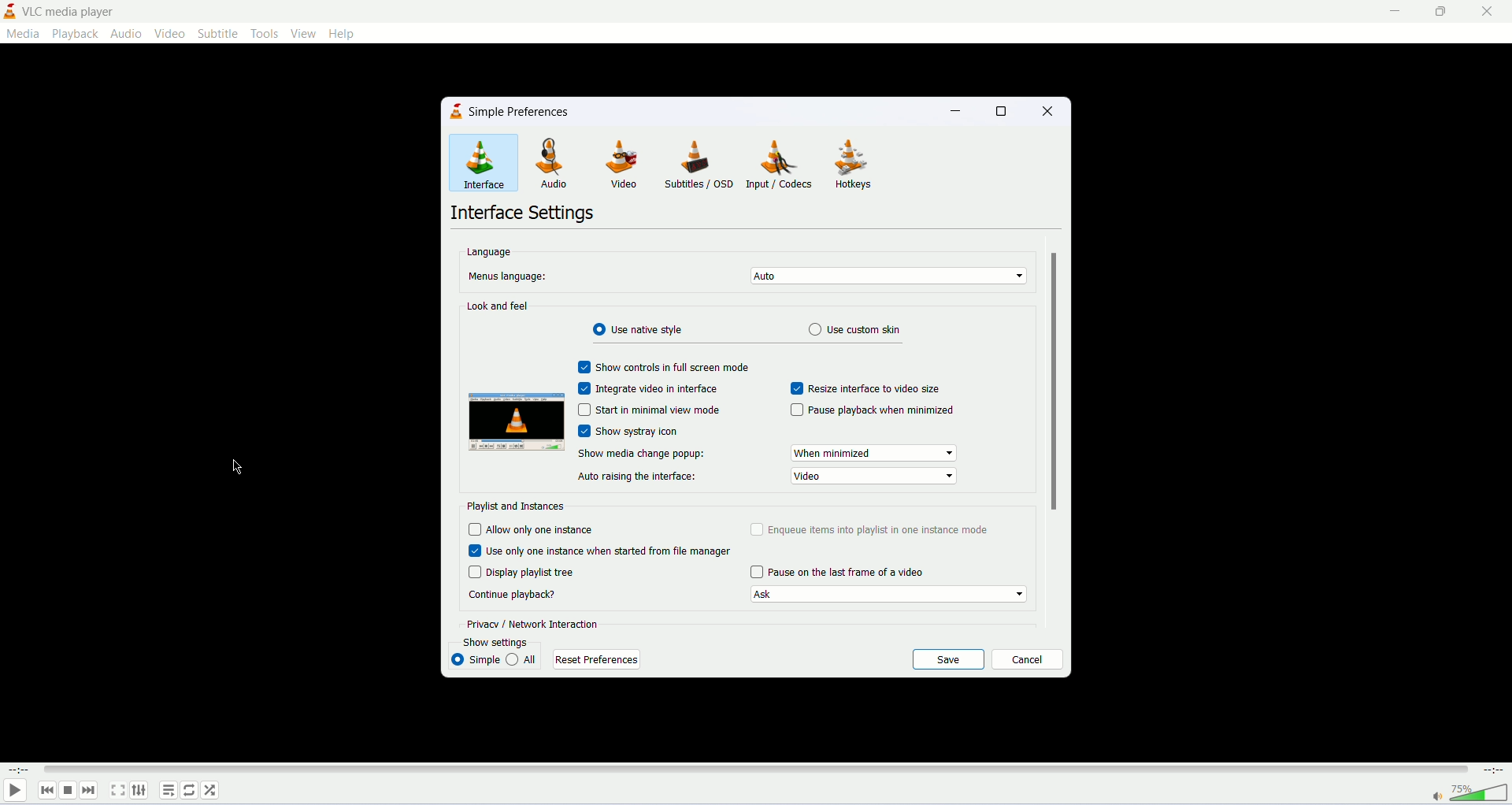 The height and width of the screenshot is (805, 1512). What do you see at coordinates (780, 164) in the screenshot?
I see `input/codes` at bounding box center [780, 164].